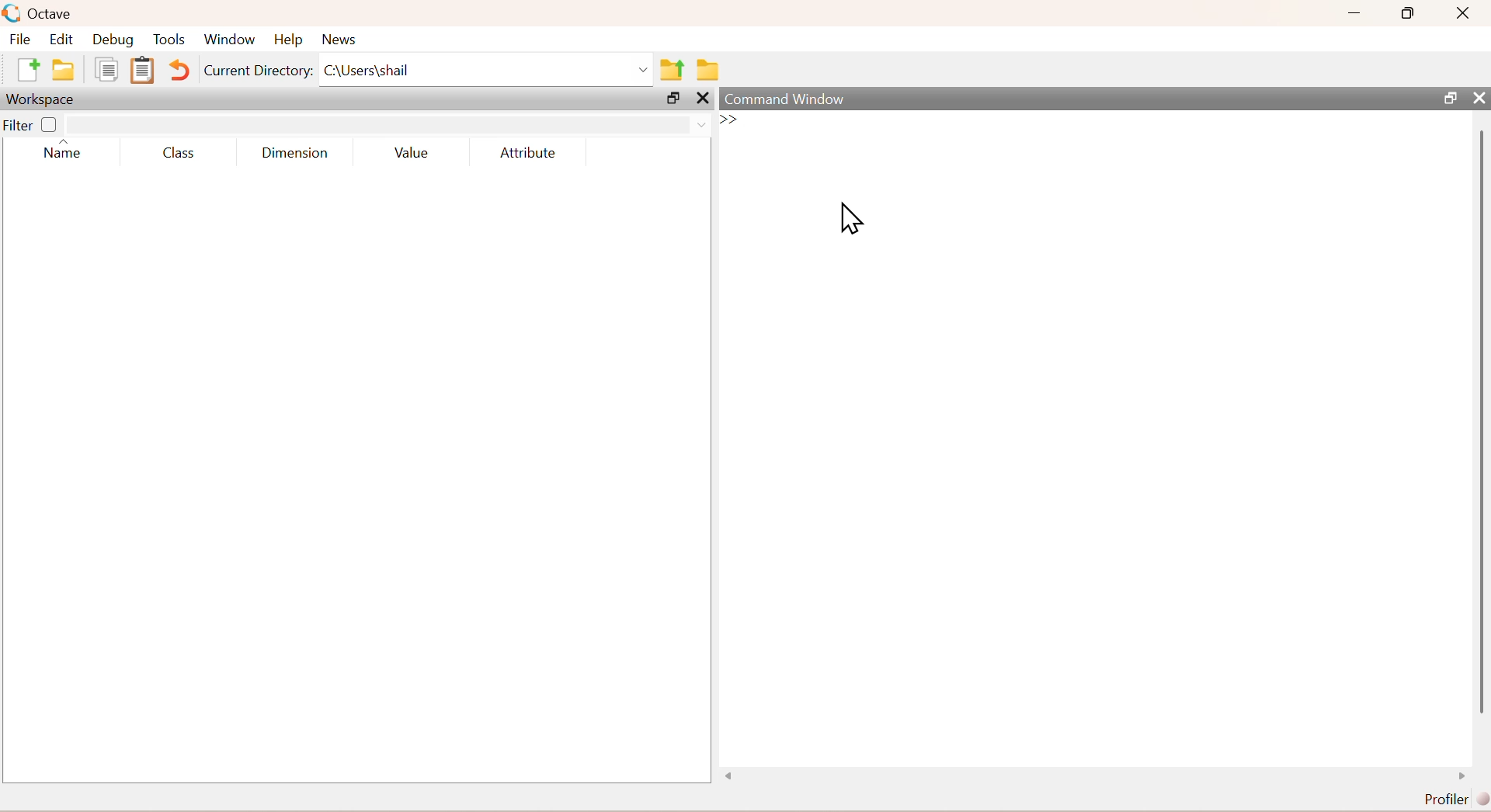 The width and height of the screenshot is (1491, 812). What do you see at coordinates (289, 40) in the screenshot?
I see `help` at bounding box center [289, 40].